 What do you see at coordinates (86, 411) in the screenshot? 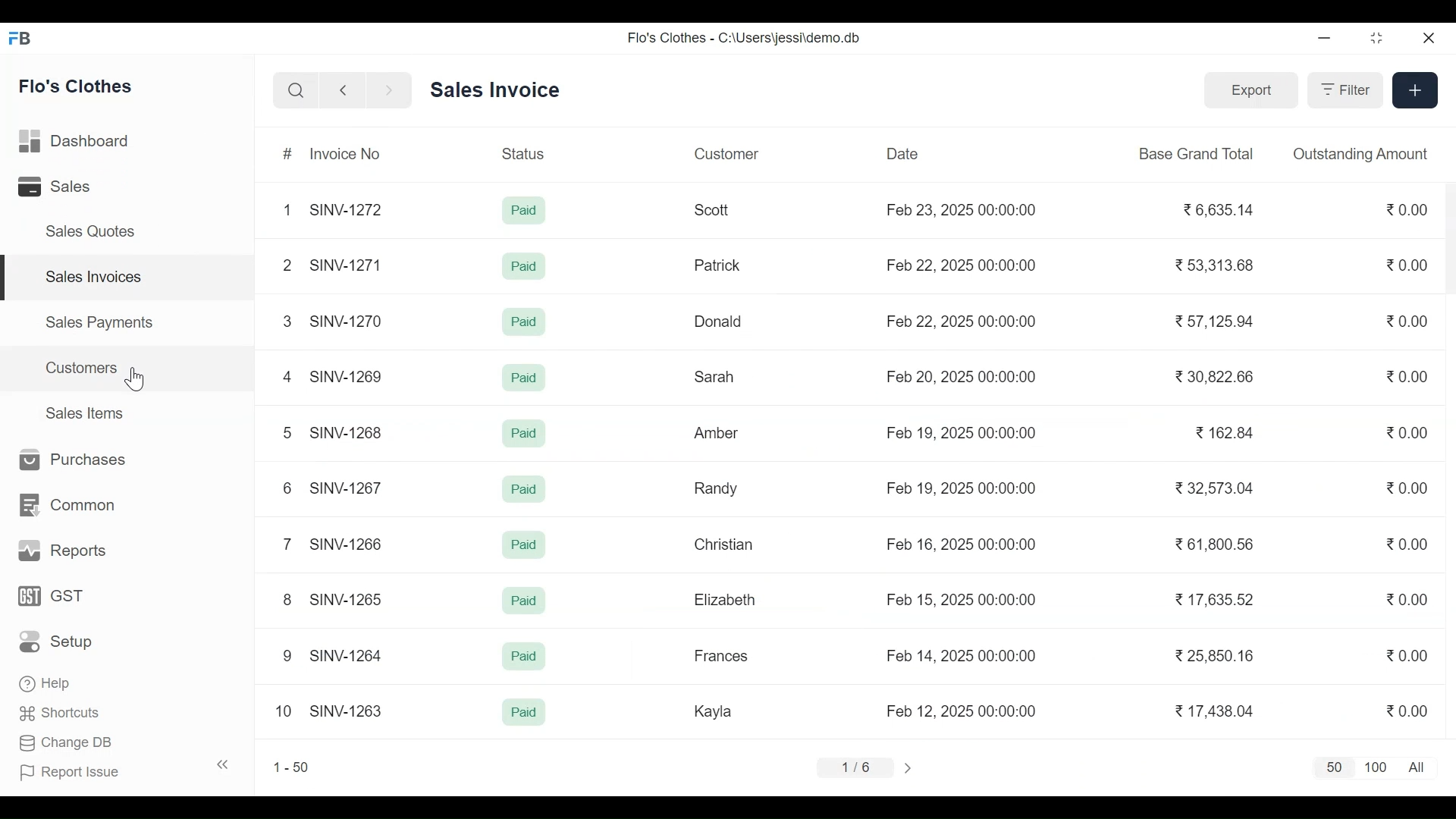
I see `Sales Items` at bounding box center [86, 411].